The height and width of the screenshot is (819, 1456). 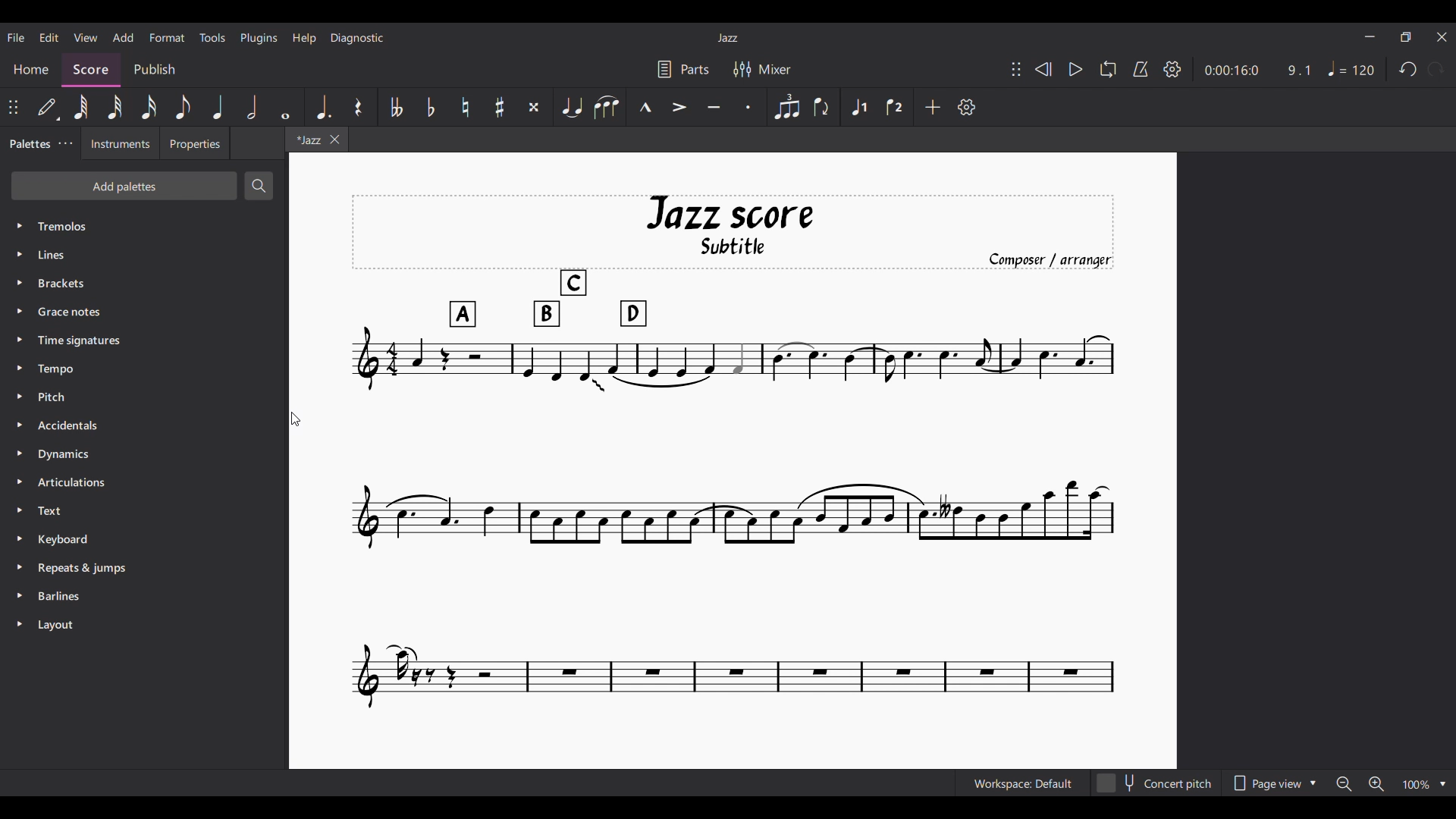 What do you see at coordinates (149, 107) in the screenshot?
I see `16th note` at bounding box center [149, 107].